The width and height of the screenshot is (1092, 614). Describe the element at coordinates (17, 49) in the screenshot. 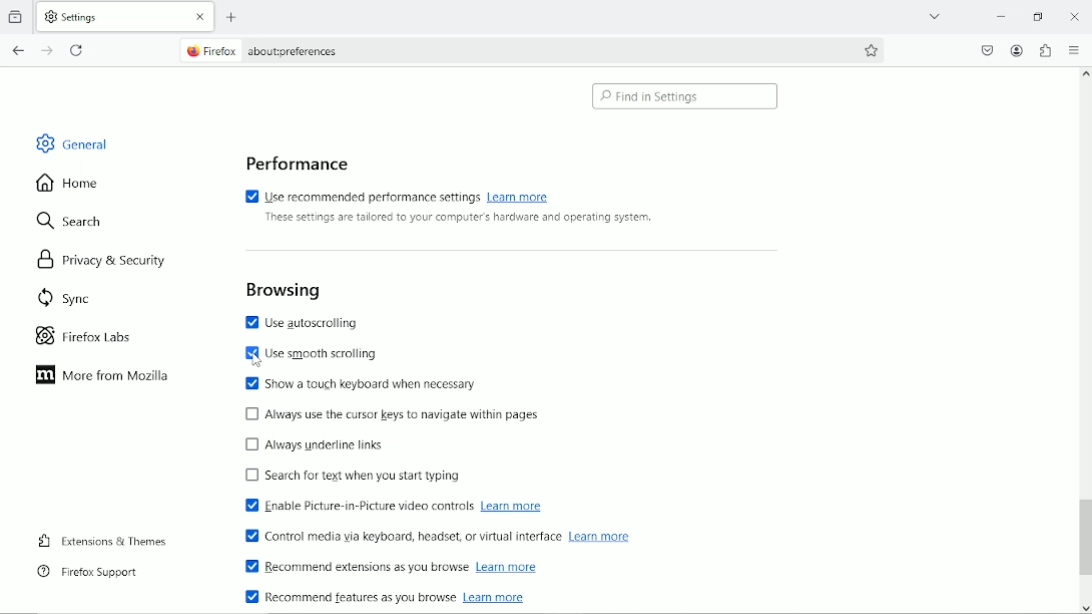

I see `go back` at that location.